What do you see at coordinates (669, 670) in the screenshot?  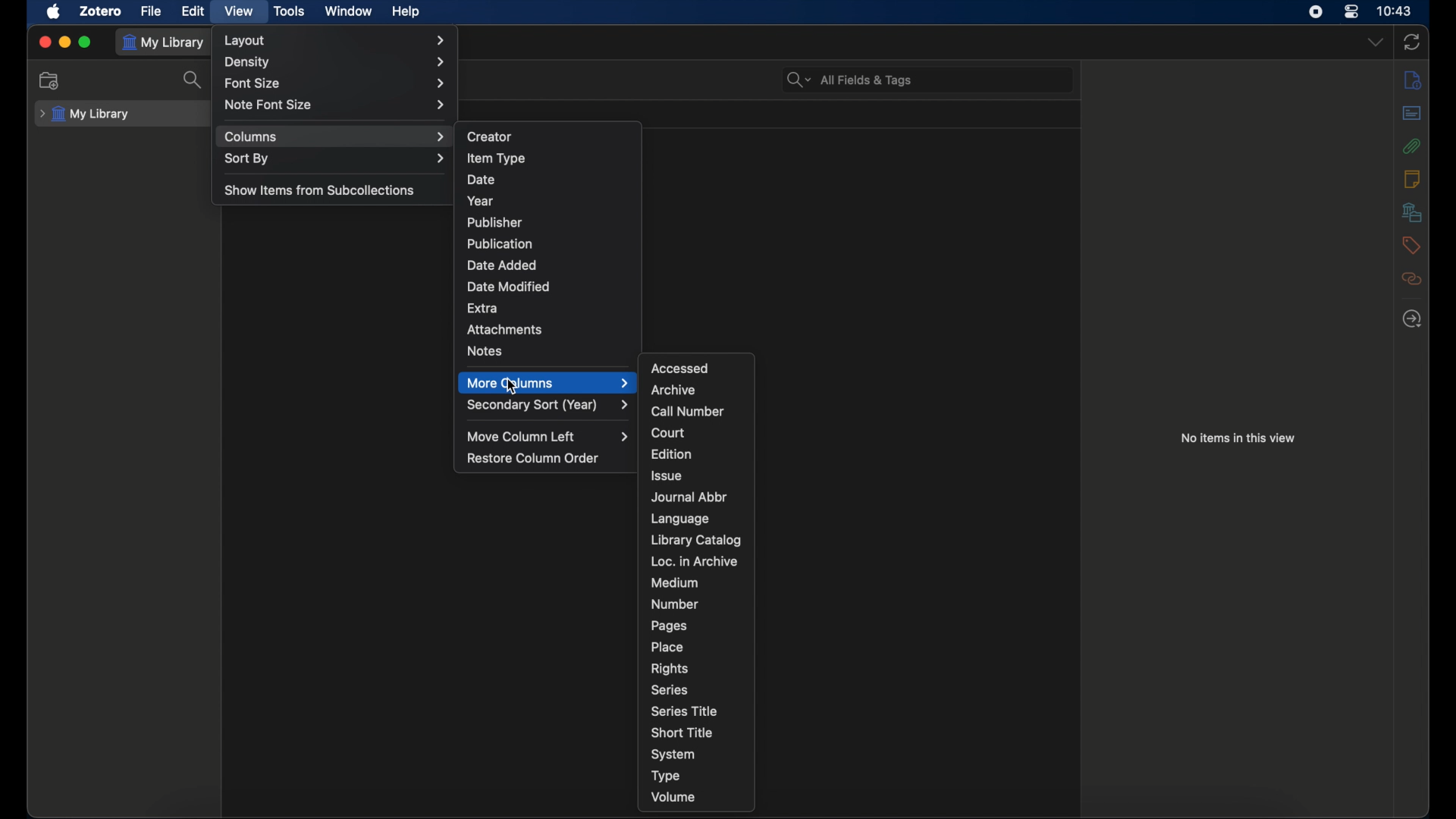 I see `rights` at bounding box center [669, 670].